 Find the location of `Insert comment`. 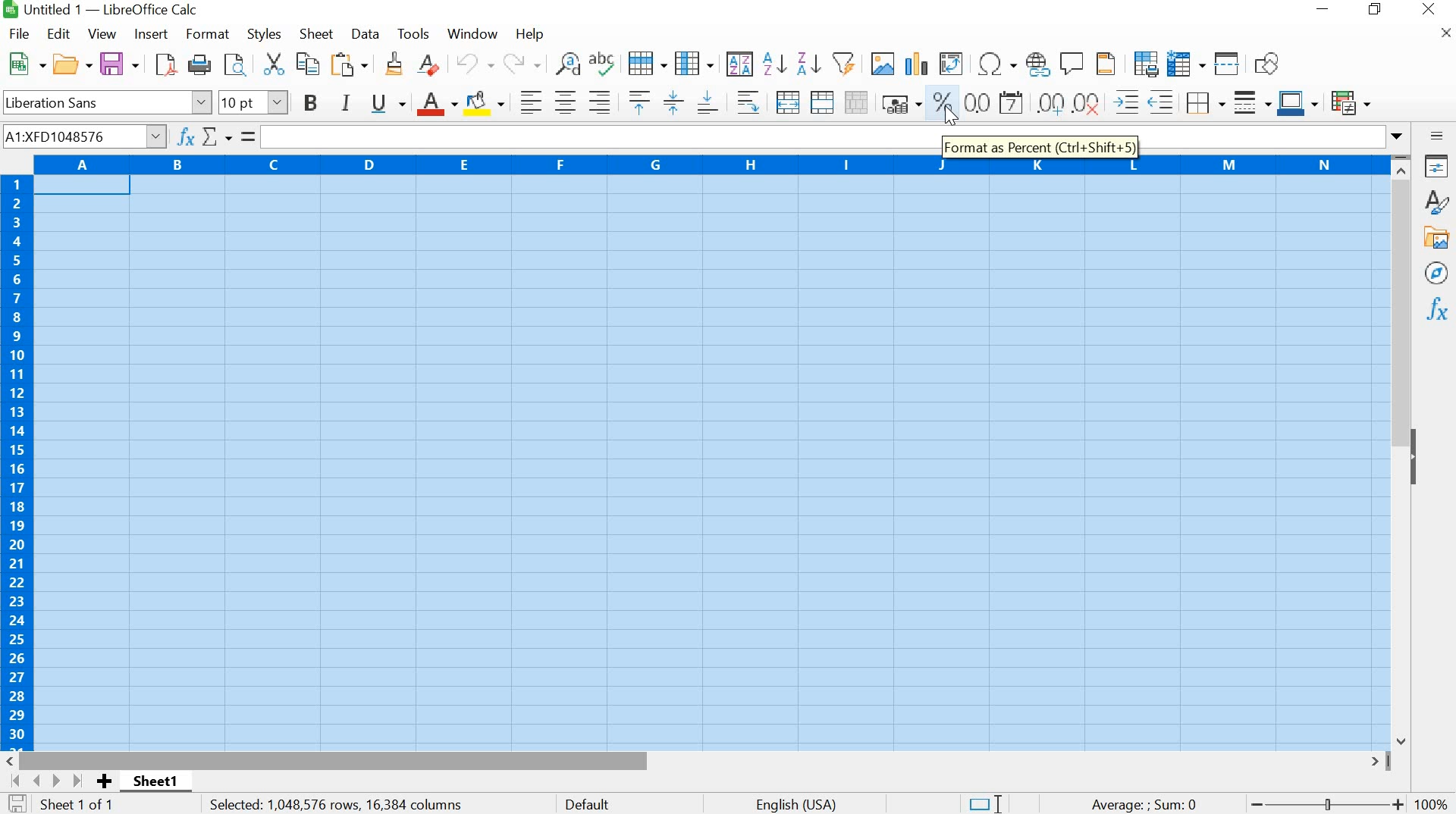

Insert comment is located at coordinates (1070, 64).